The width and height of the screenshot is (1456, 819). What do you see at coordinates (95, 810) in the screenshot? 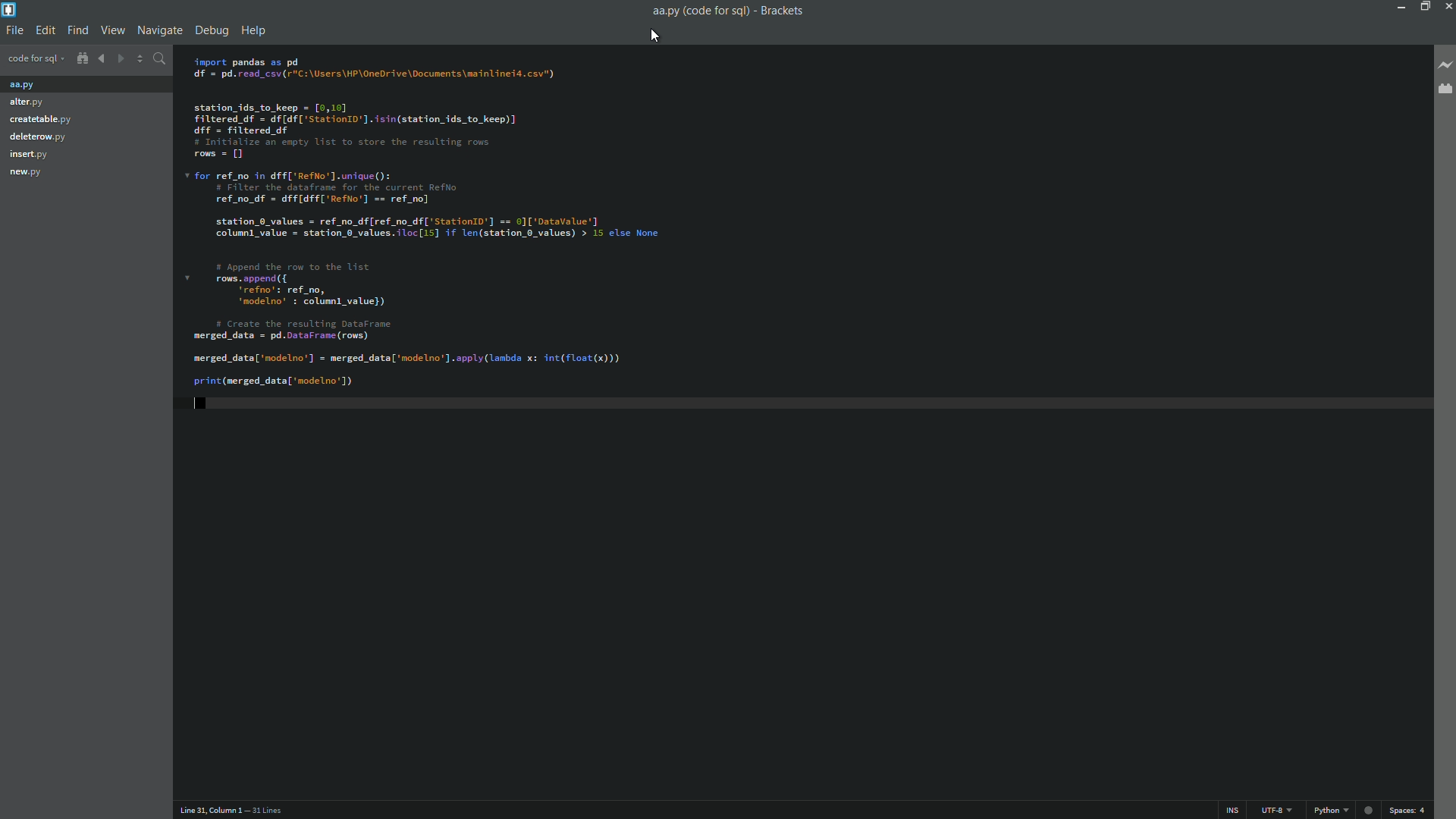
I see `number of lines` at bounding box center [95, 810].